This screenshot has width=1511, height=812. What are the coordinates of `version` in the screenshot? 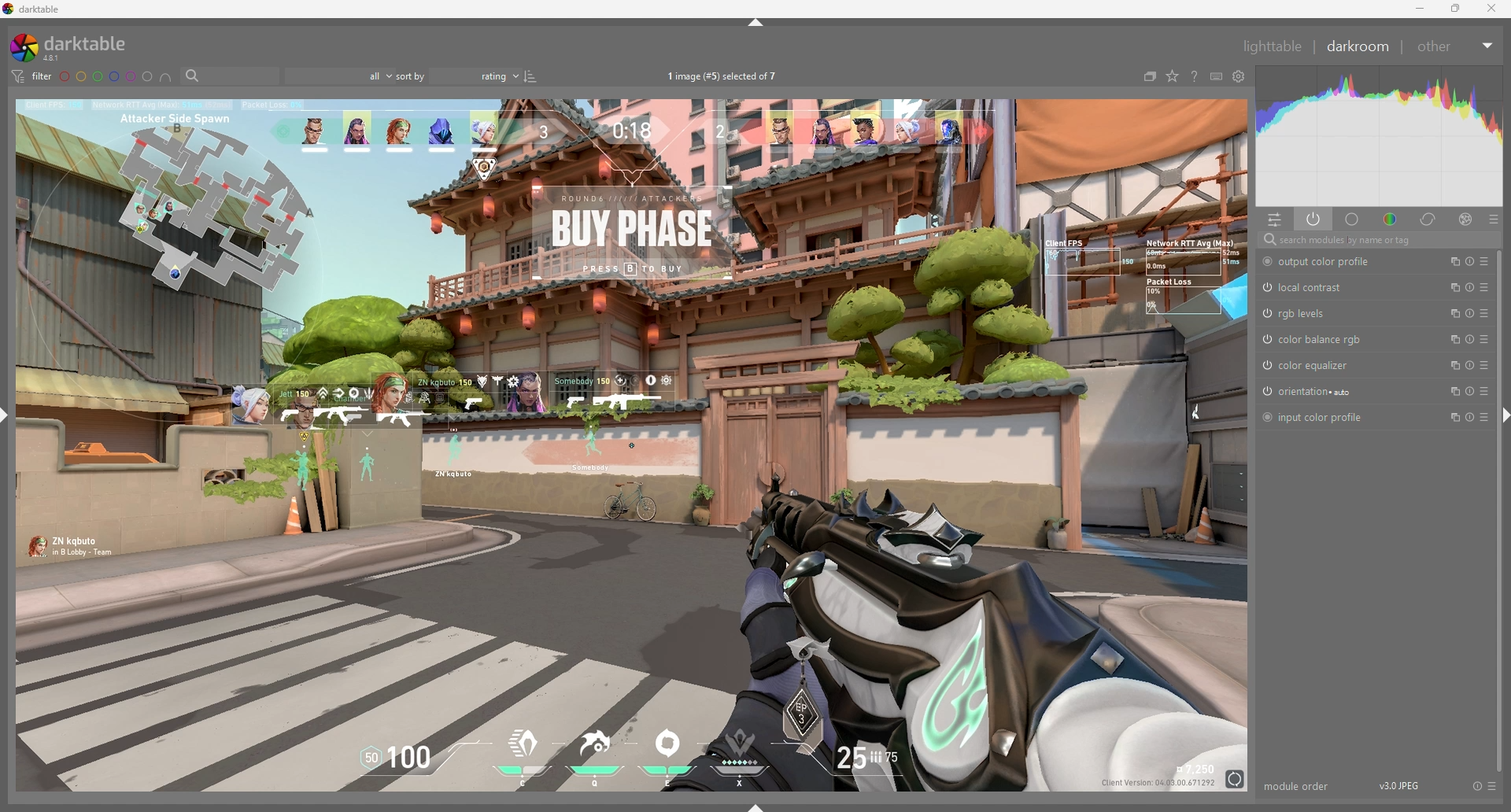 It's located at (1403, 785).